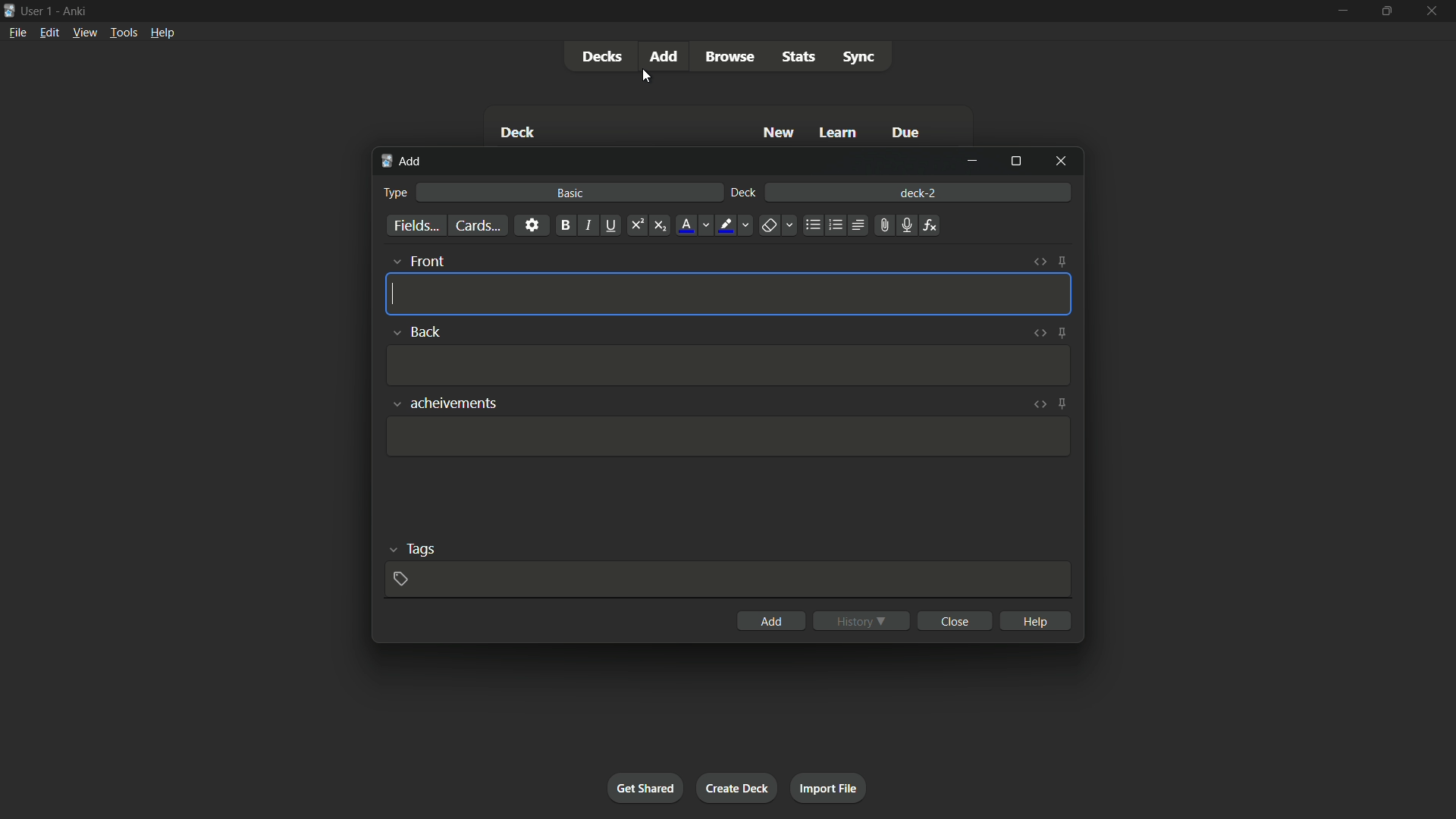  Describe the element at coordinates (771, 620) in the screenshot. I see `add` at that location.